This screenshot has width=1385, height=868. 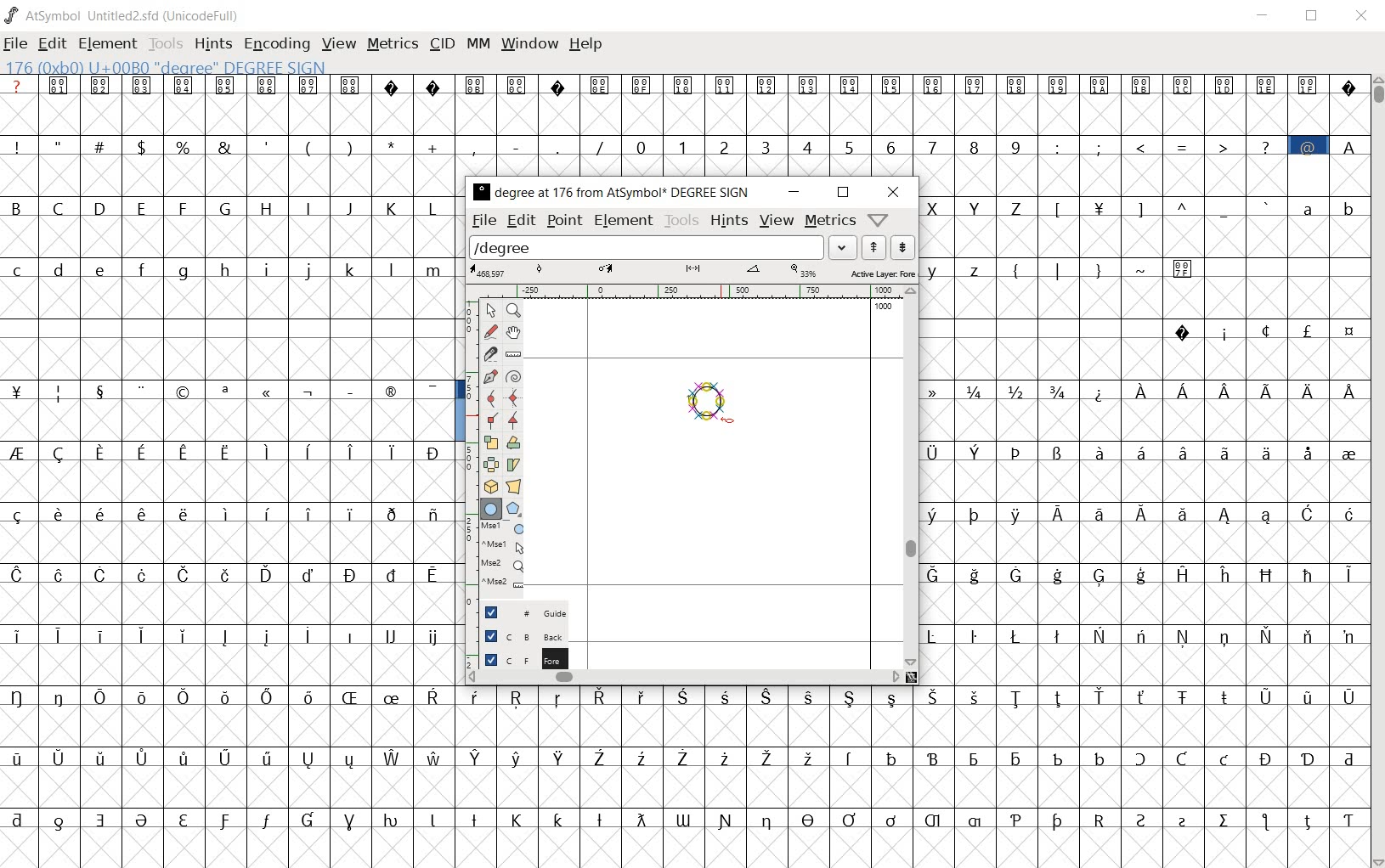 I want to click on perform a perspective transformation on the selection, so click(x=513, y=486).